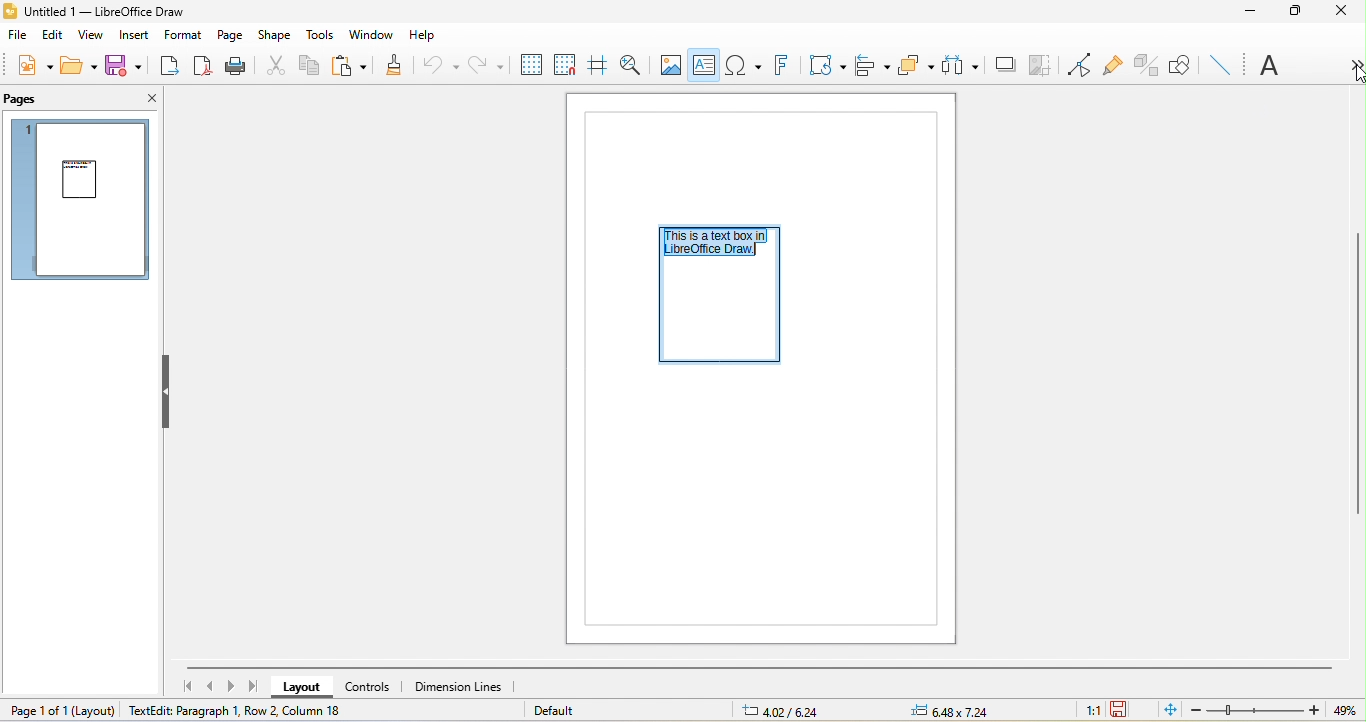 This screenshot has height=722, width=1366. Describe the element at coordinates (274, 64) in the screenshot. I see `cut` at that location.